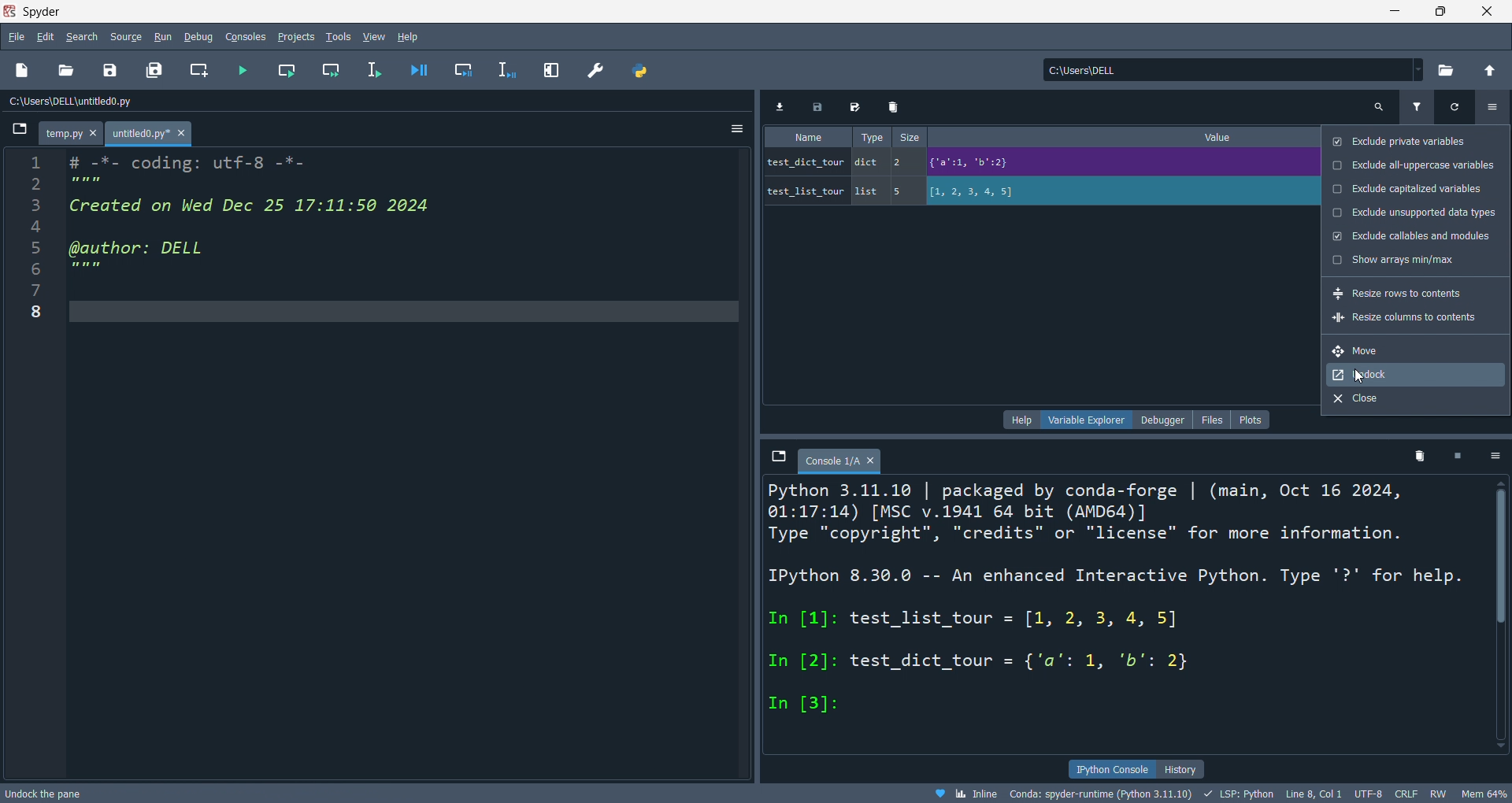 The height and width of the screenshot is (803, 1512). Describe the element at coordinates (869, 138) in the screenshot. I see `type` at that location.